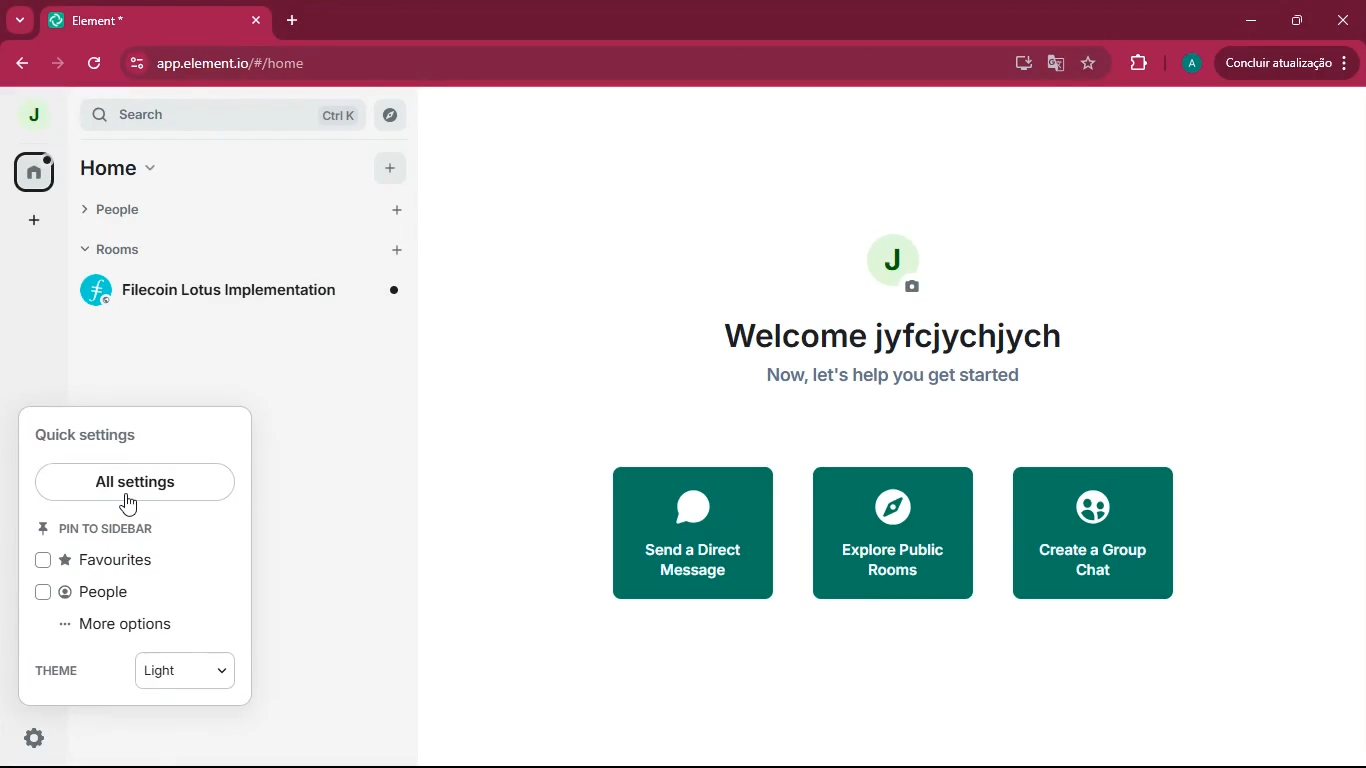 Image resolution: width=1366 pixels, height=768 pixels. What do you see at coordinates (93, 431) in the screenshot?
I see `quick settings` at bounding box center [93, 431].